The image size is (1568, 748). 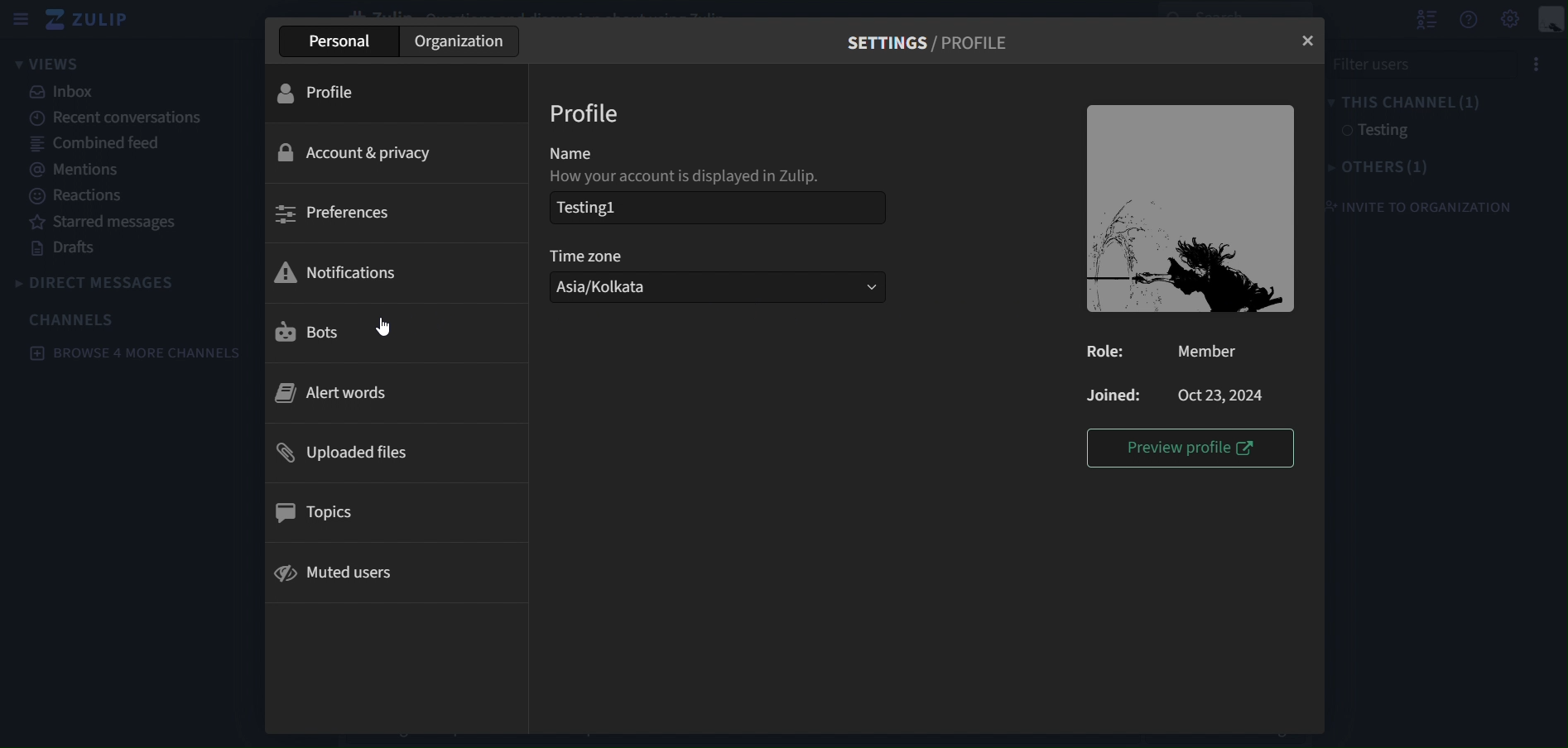 I want to click on starred messages, so click(x=106, y=223).